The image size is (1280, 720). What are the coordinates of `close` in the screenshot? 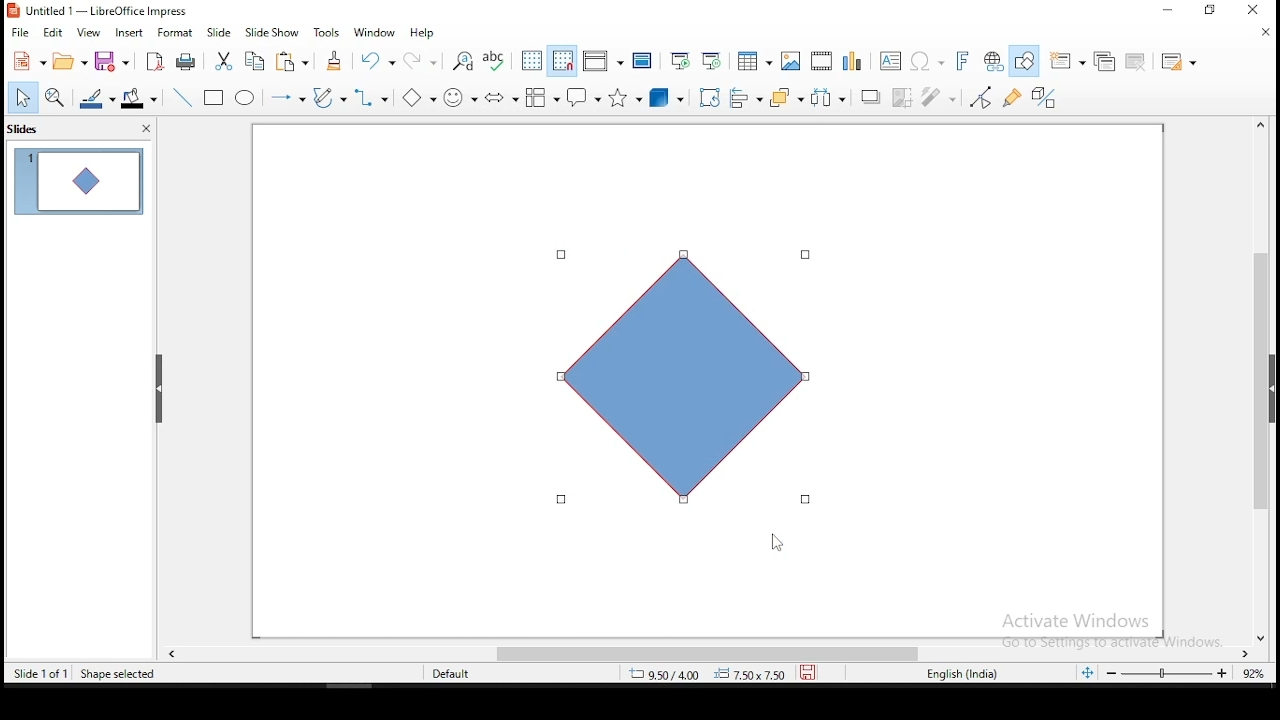 It's located at (1265, 633).